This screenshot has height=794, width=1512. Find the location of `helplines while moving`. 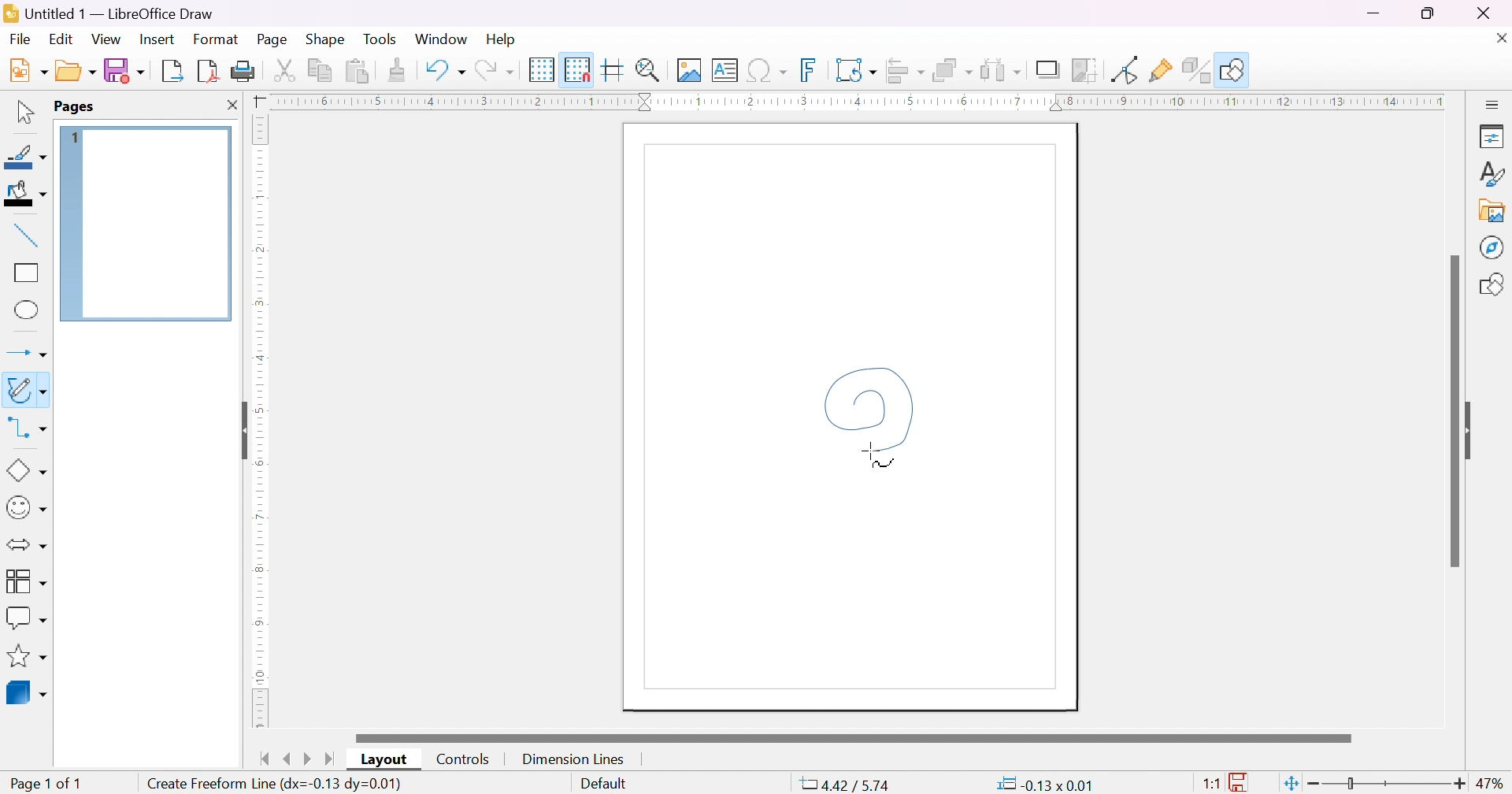

helplines while moving is located at coordinates (610, 69).